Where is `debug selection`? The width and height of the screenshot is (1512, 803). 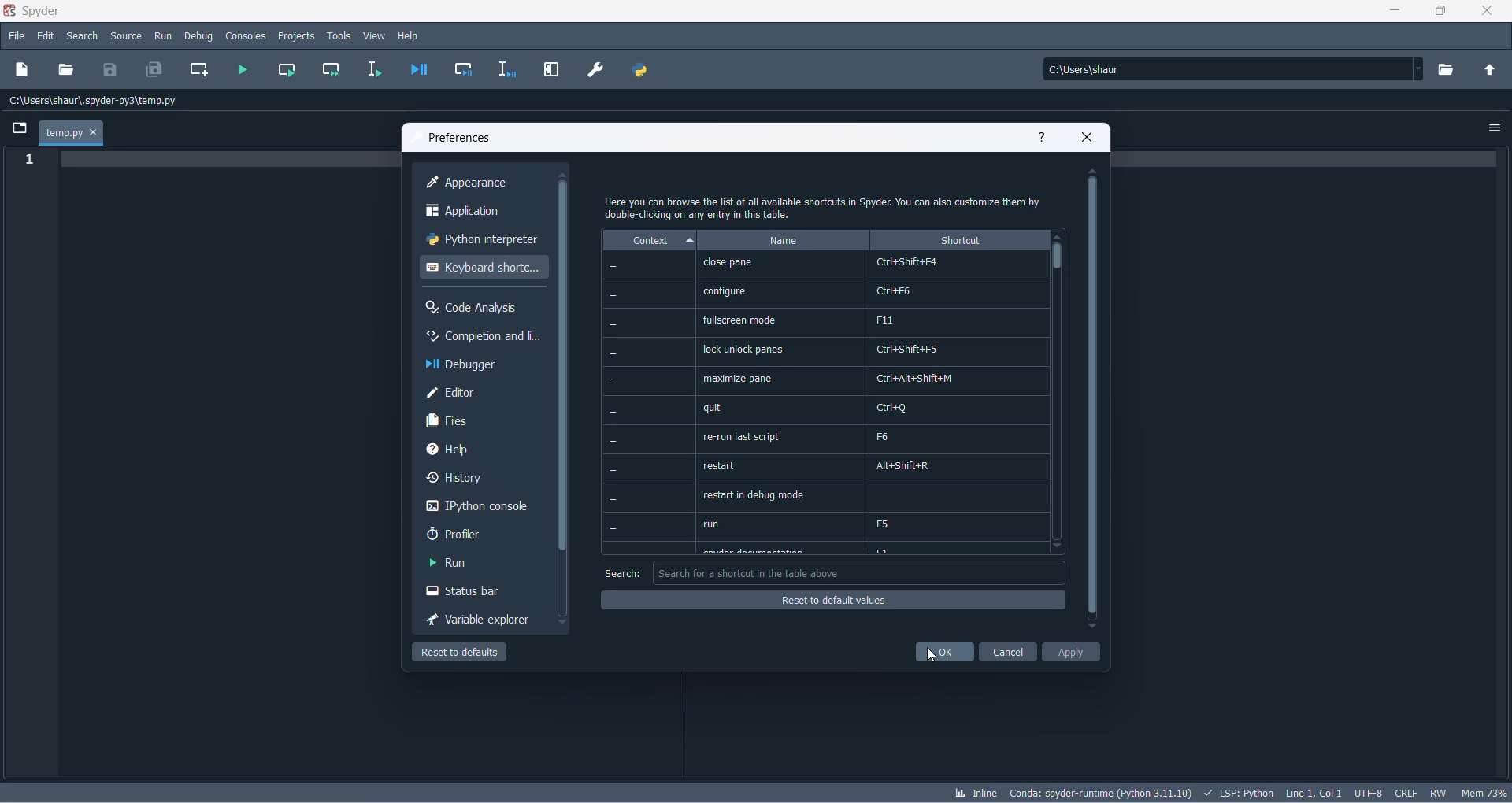
debug selection is located at coordinates (509, 71).